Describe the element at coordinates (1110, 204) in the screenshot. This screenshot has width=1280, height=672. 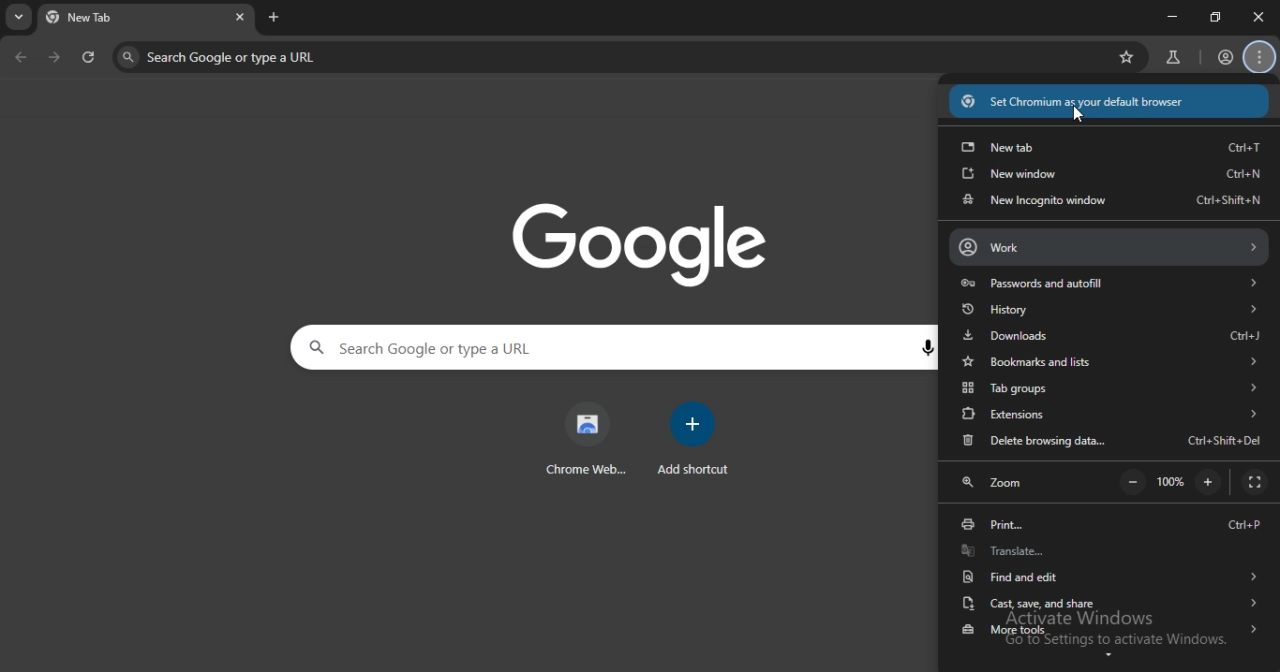
I see `new incognito window` at that location.